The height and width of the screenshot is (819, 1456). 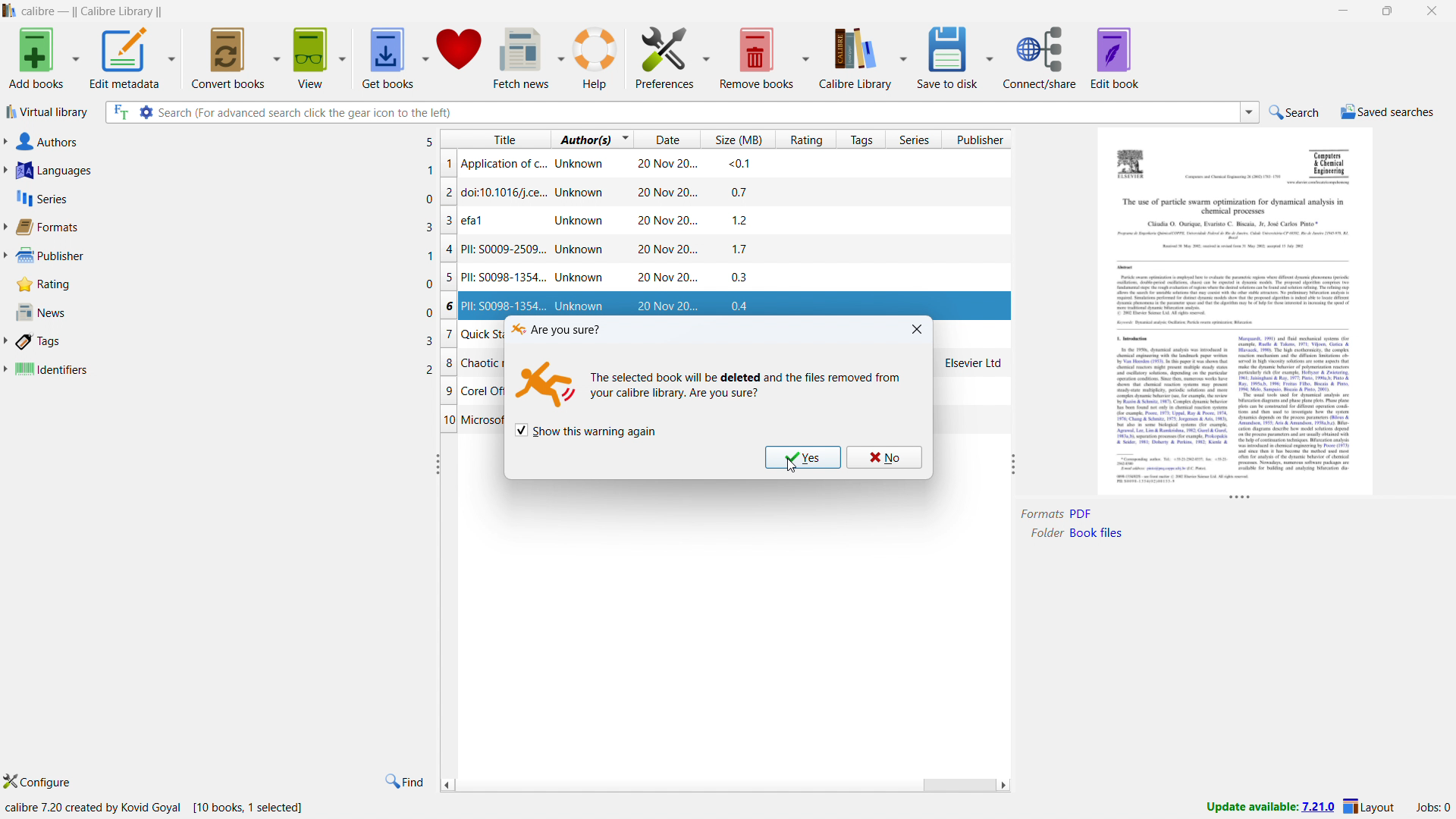 I want to click on edit book, so click(x=1115, y=58).